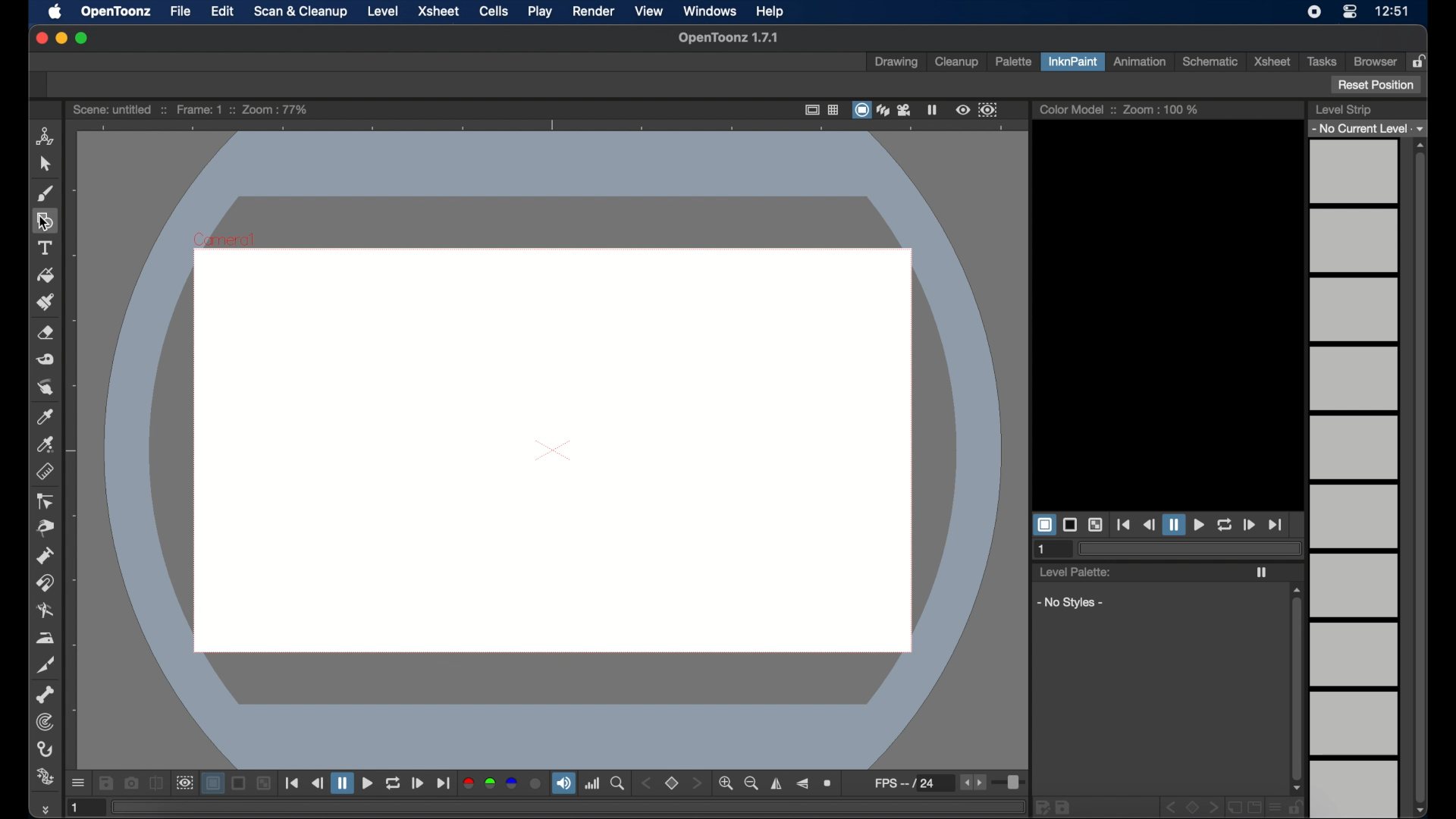 The height and width of the screenshot is (819, 1456). What do you see at coordinates (988, 110) in the screenshot?
I see `sub camera preview` at bounding box center [988, 110].